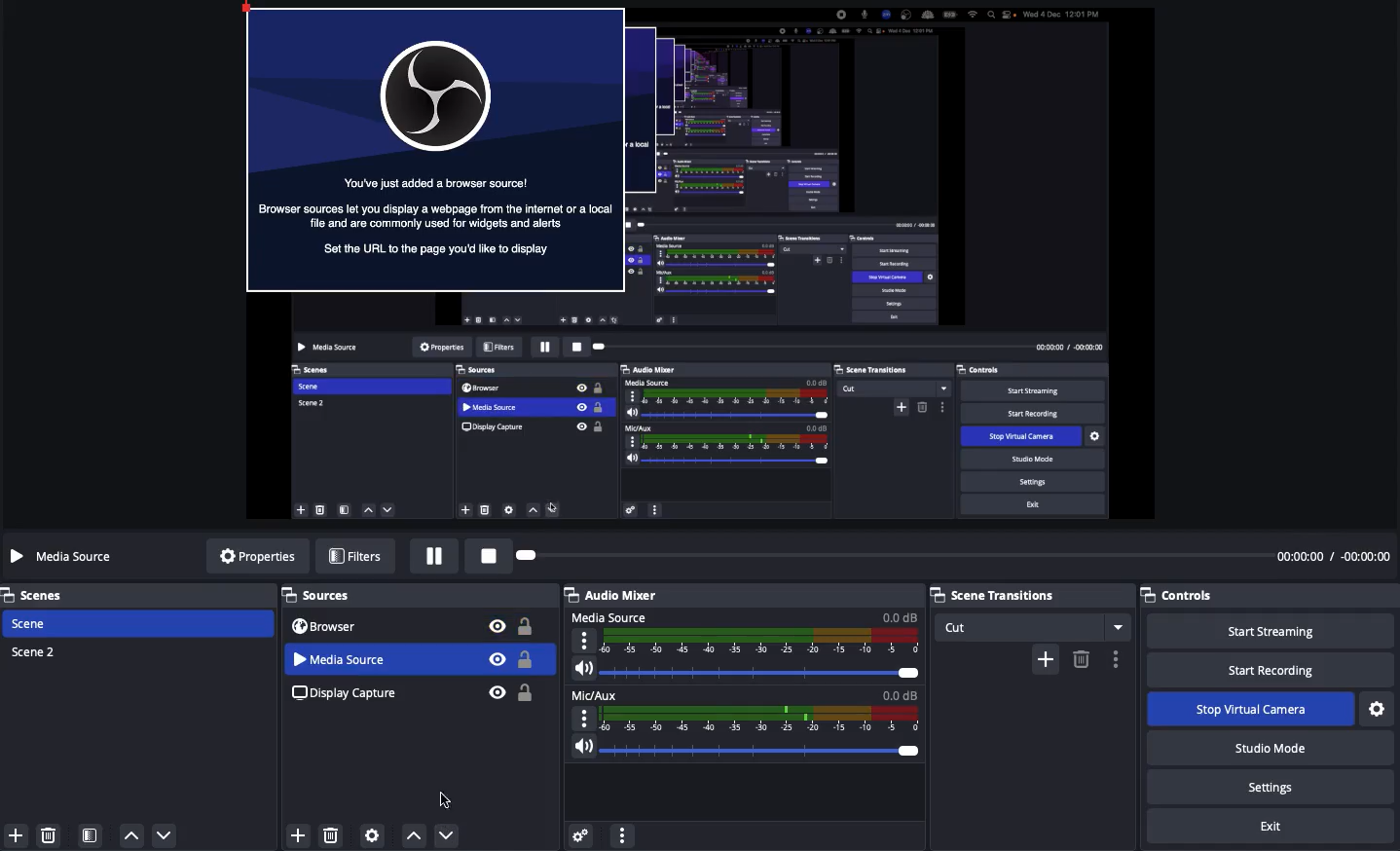  I want to click on Pause, so click(436, 556).